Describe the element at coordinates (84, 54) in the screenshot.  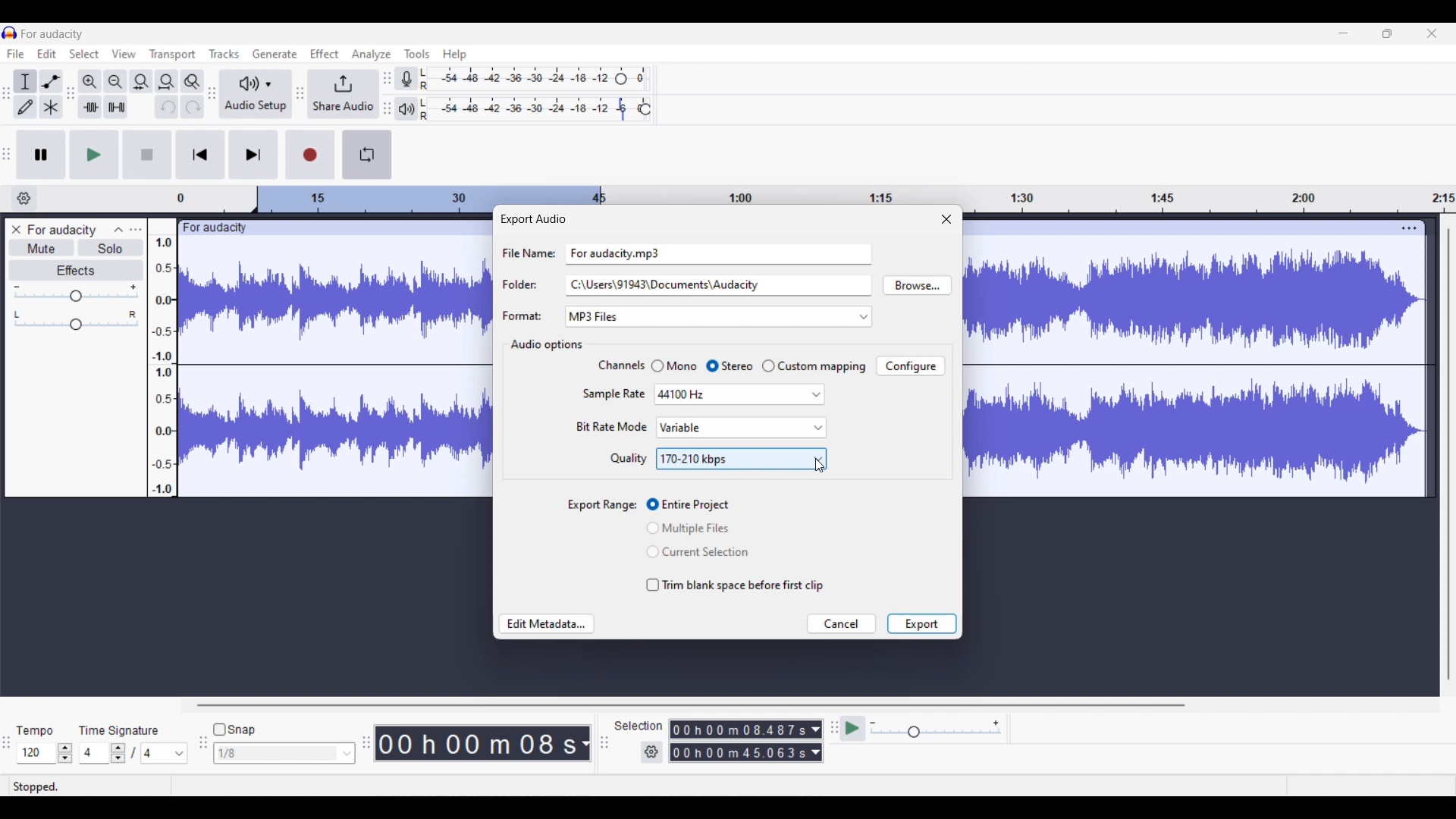
I see `Select menu` at that location.